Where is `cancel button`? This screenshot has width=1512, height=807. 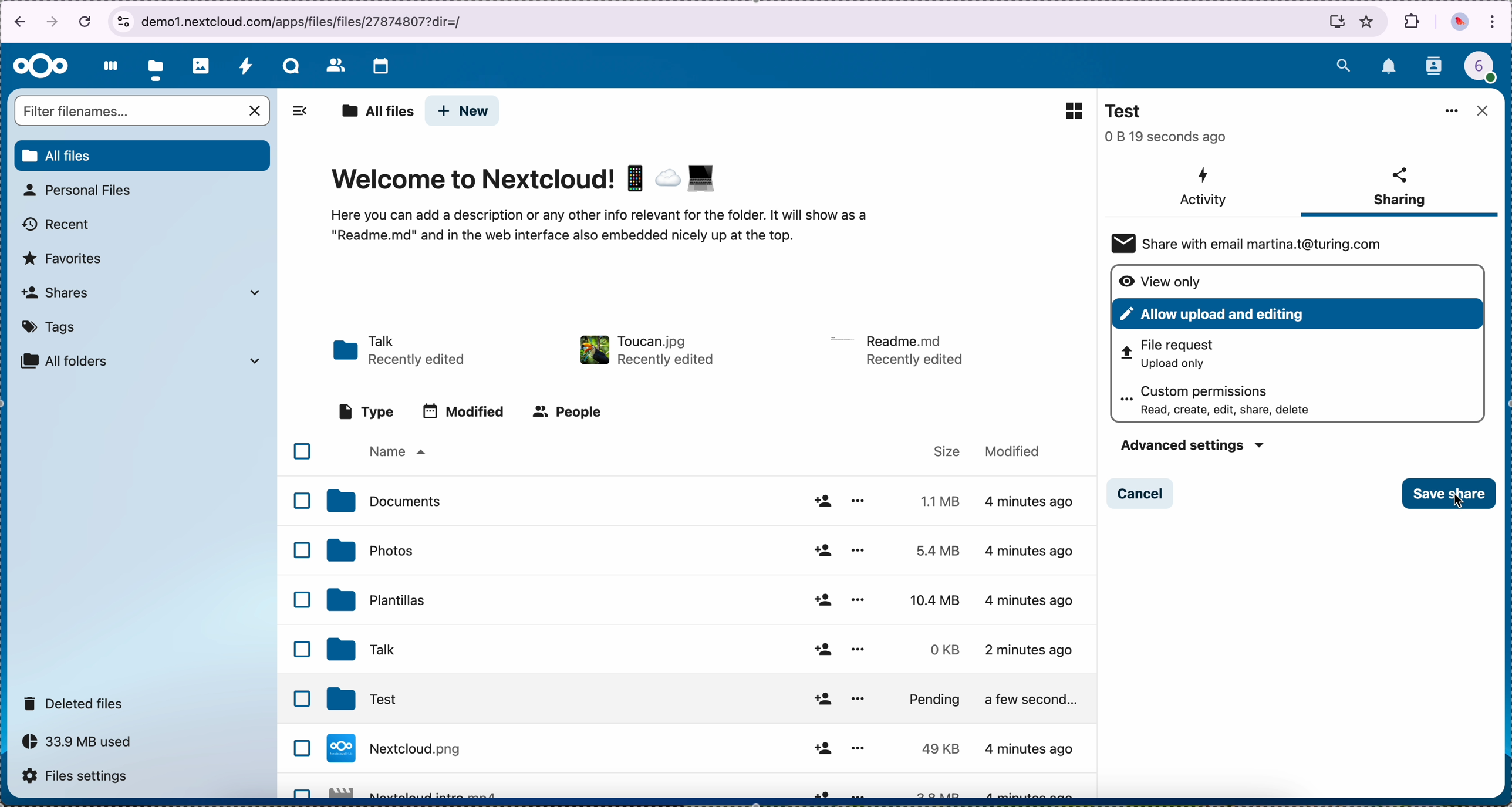
cancel button is located at coordinates (1142, 493).